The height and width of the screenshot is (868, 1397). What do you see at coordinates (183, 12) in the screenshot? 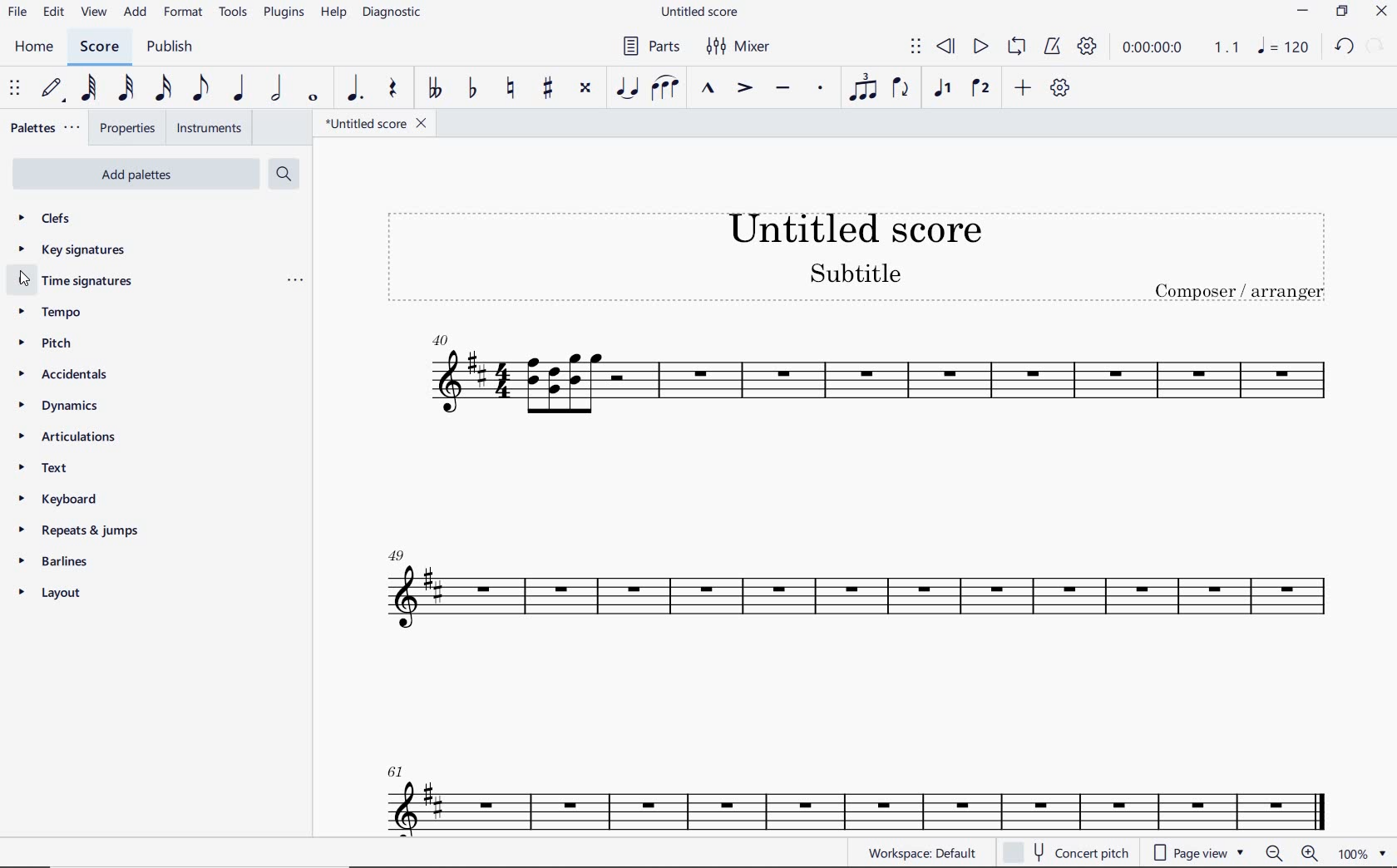
I see `FORMAT` at bounding box center [183, 12].